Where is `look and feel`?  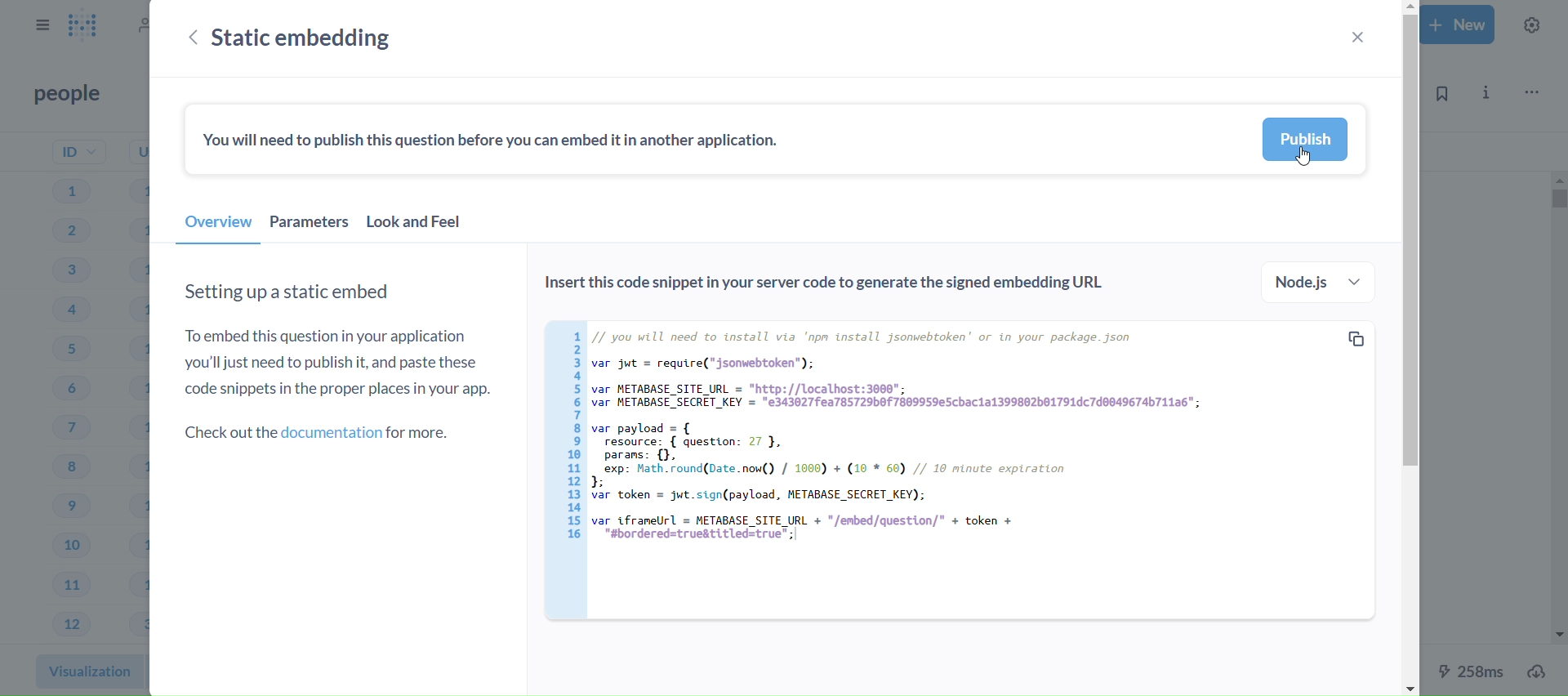
look and feel is located at coordinates (425, 226).